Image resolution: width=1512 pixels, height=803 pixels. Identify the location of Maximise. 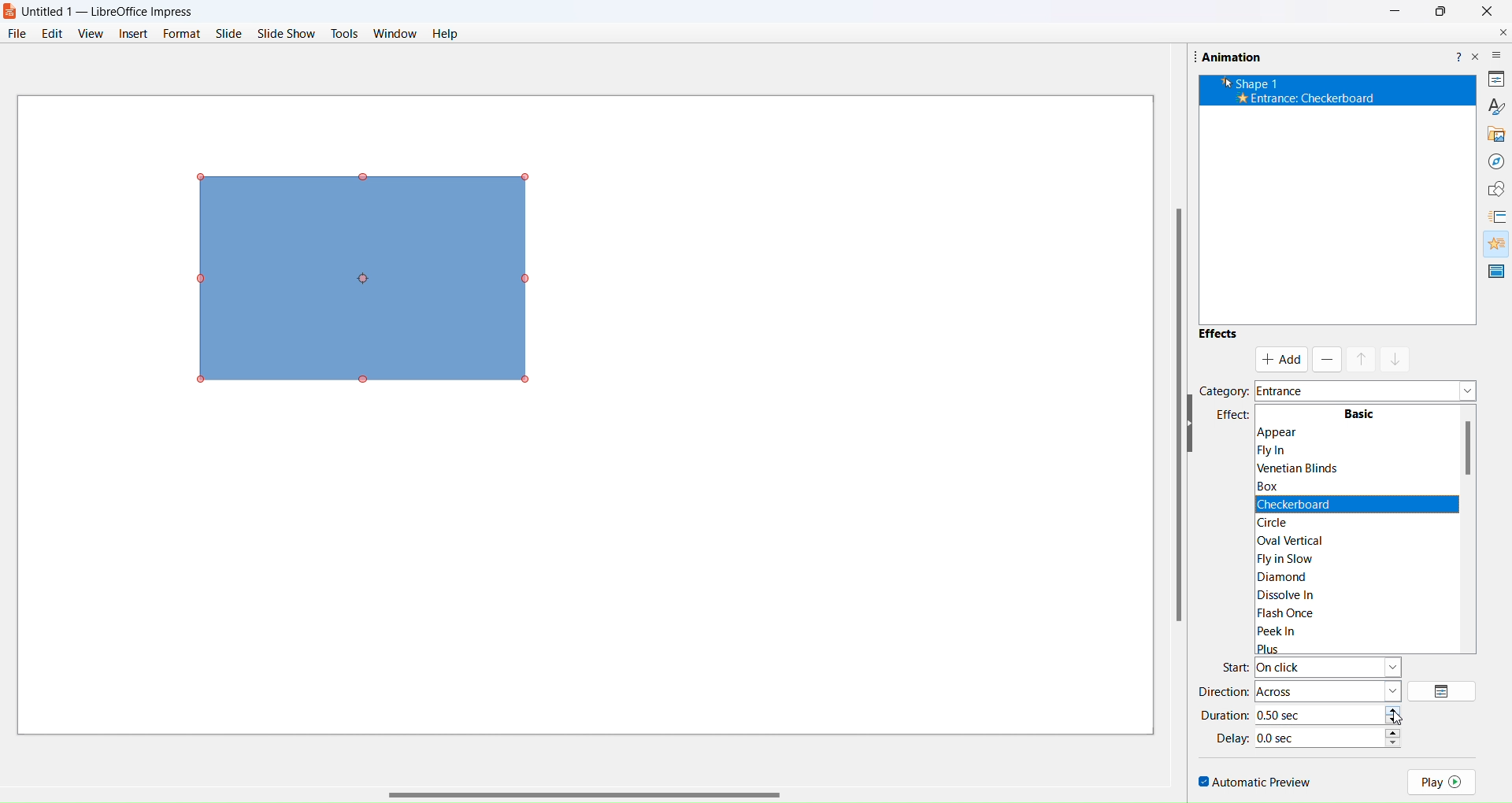
(1438, 13).